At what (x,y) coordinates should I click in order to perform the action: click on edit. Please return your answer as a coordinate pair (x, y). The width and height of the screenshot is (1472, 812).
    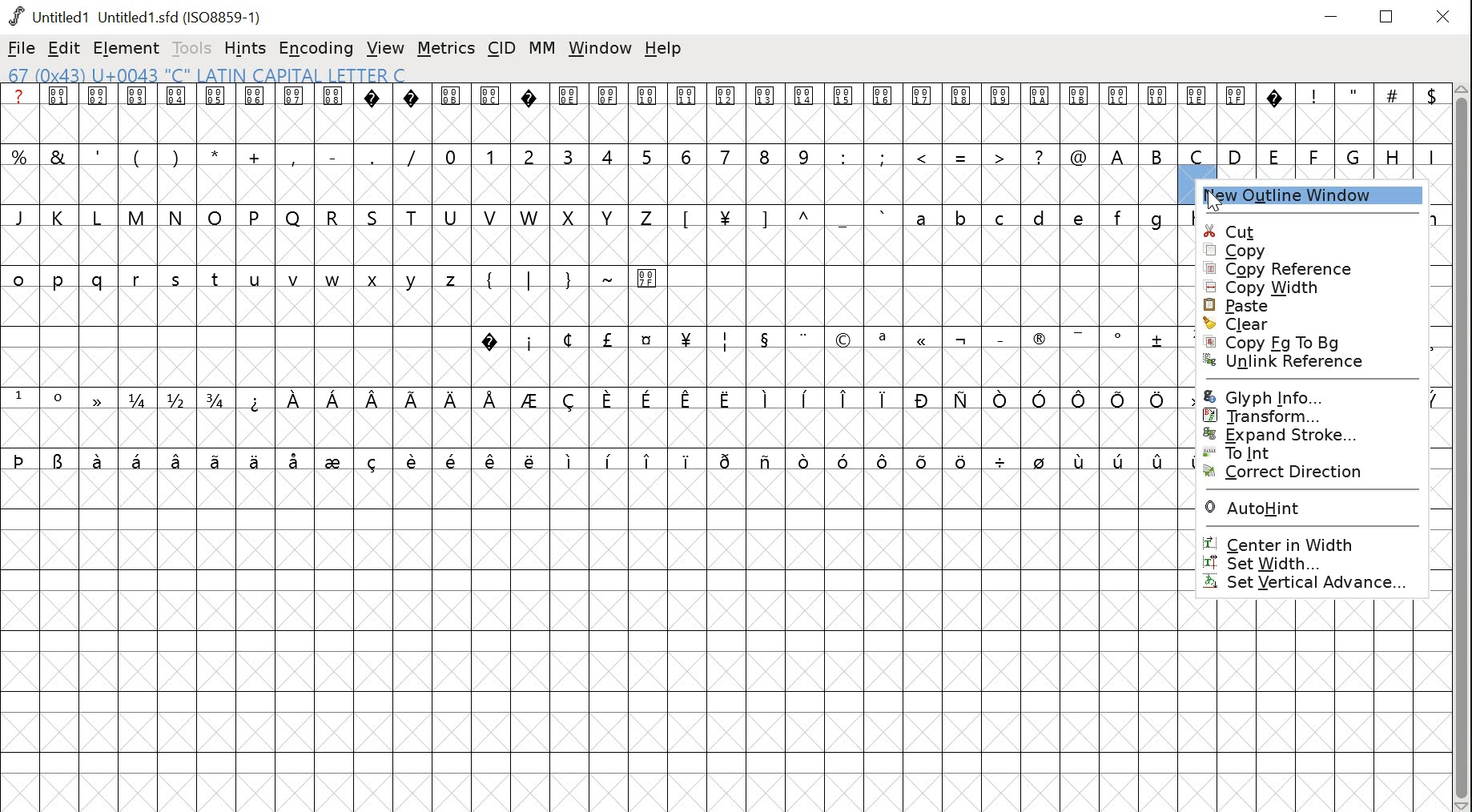
    Looking at the image, I should click on (63, 48).